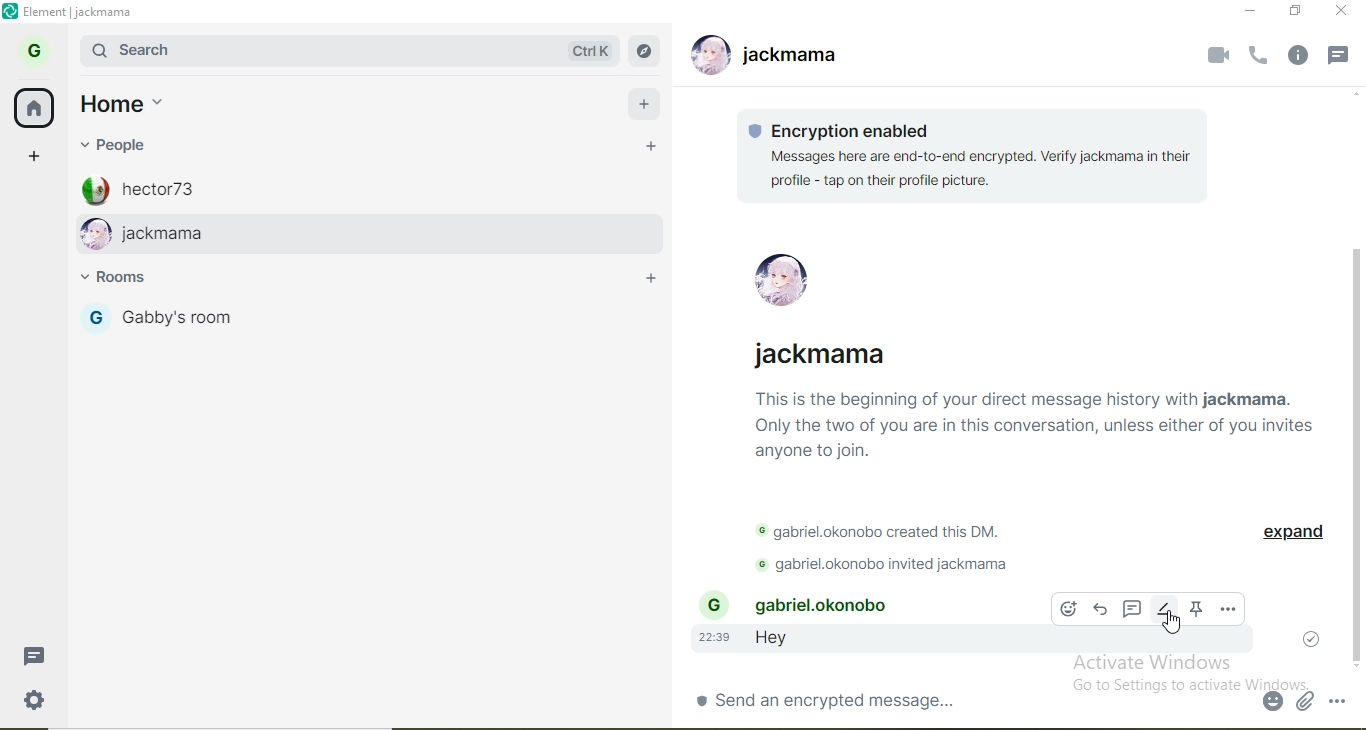 This screenshot has height=730, width=1366. What do you see at coordinates (82, 12) in the screenshot?
I see `element` at bounding box center [82, 12].